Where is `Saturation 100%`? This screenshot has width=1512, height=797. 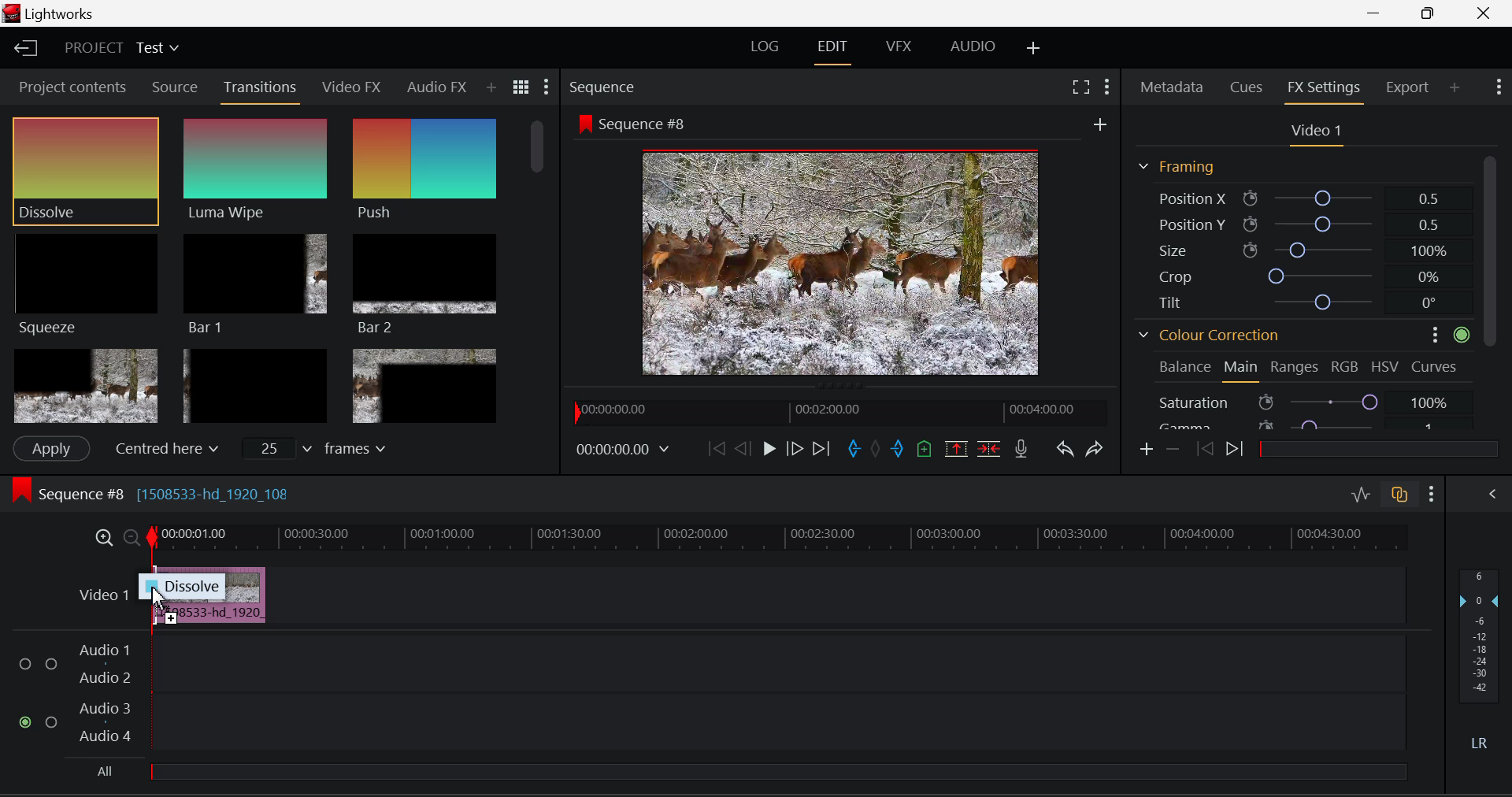 Saturation 100% is located at coordinates (1313, 398).